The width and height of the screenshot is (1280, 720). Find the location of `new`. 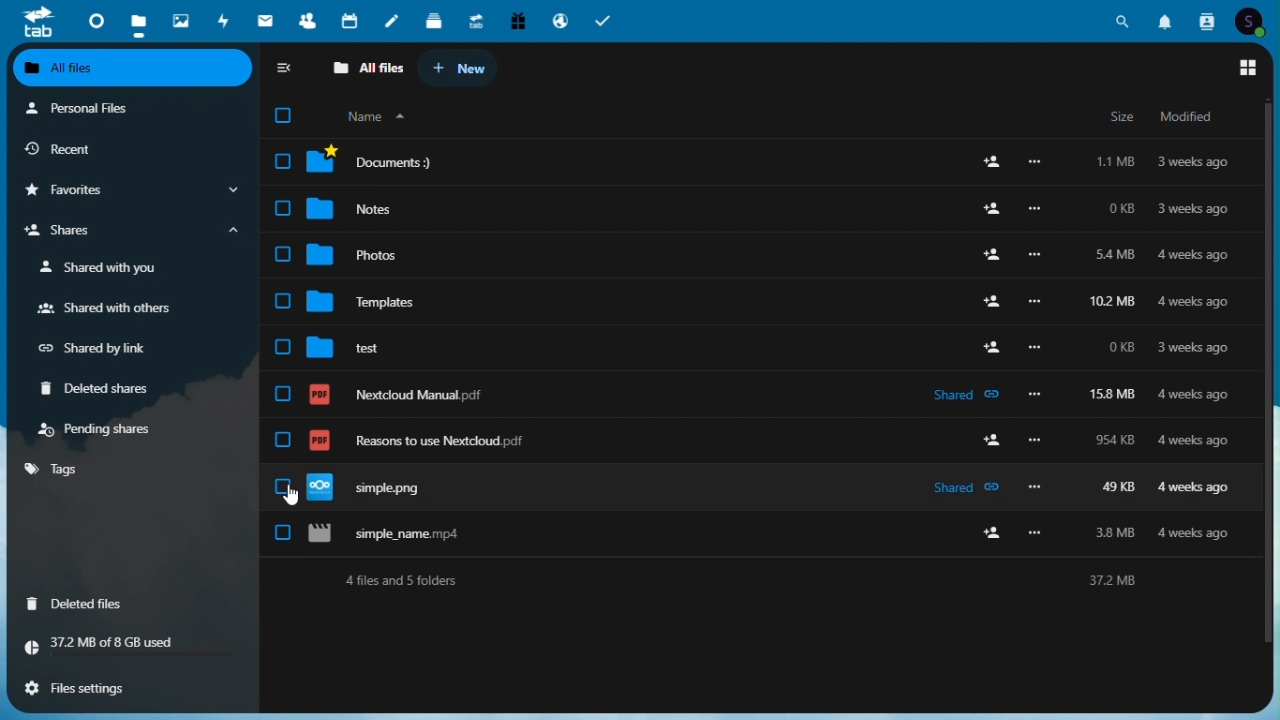

new is located at coordinates (459, 69).